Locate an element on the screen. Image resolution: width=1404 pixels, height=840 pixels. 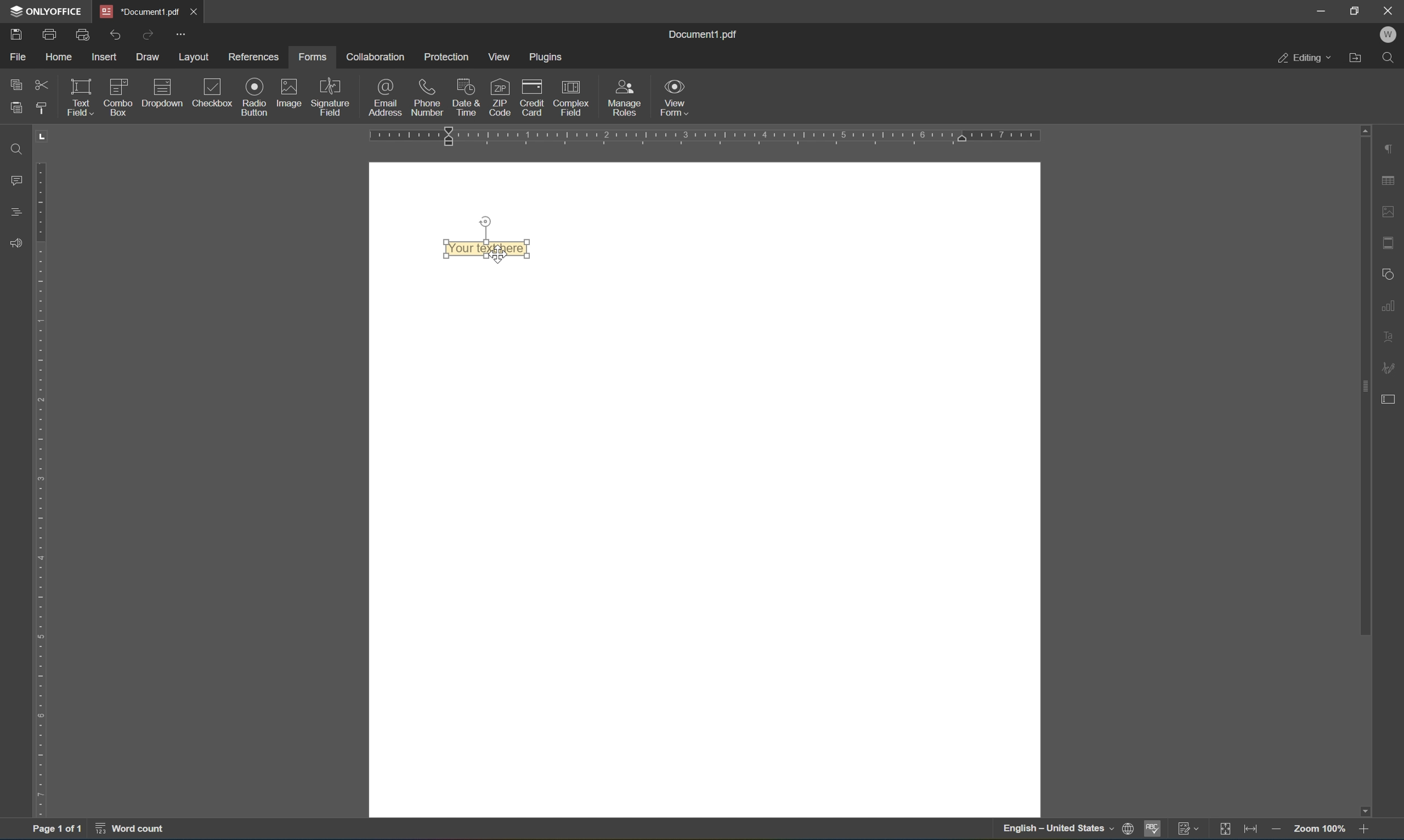
zoom out is located at coordinates (1278, 830).